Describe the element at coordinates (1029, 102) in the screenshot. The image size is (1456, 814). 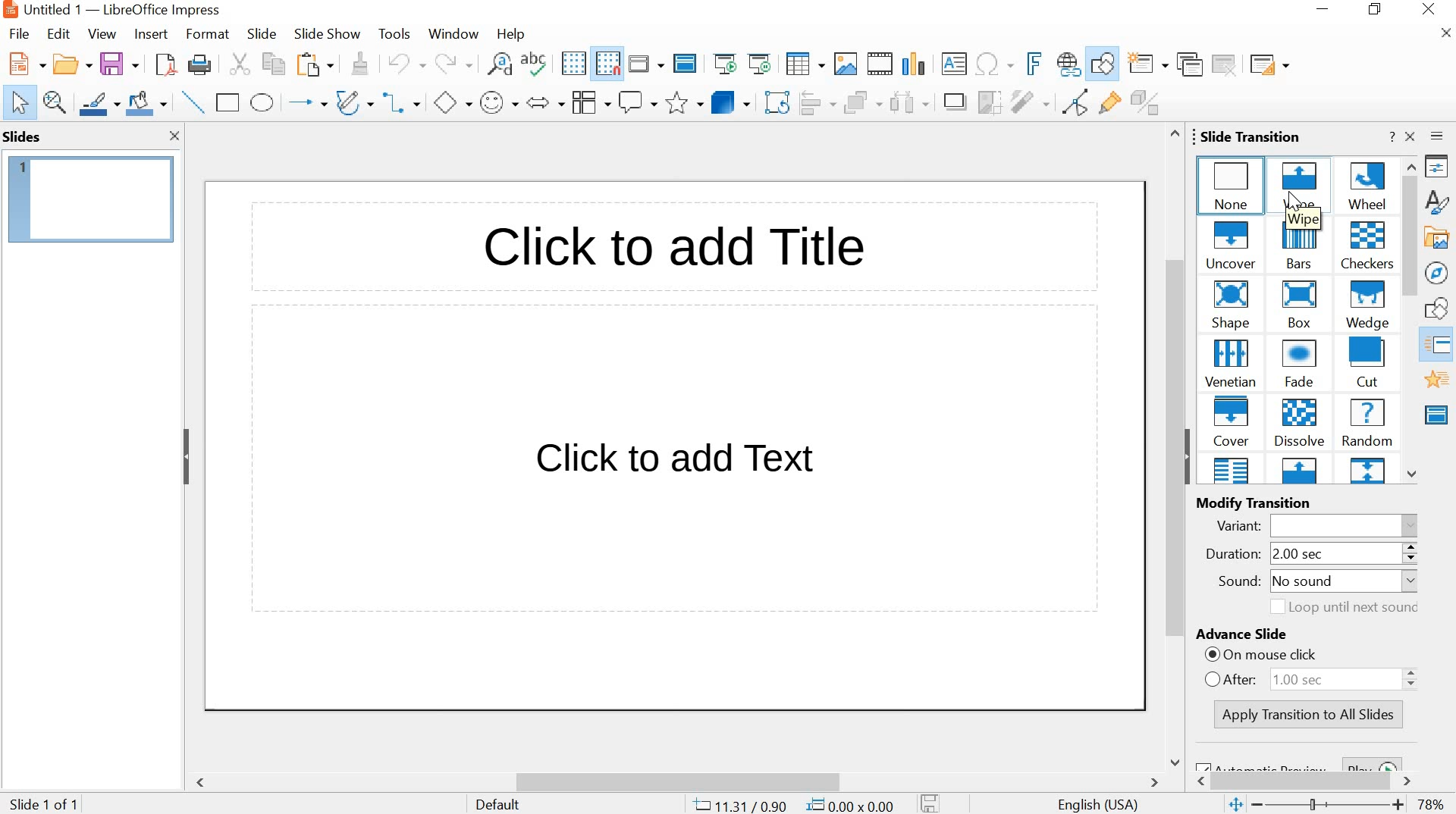
I see `Filter` at that location.